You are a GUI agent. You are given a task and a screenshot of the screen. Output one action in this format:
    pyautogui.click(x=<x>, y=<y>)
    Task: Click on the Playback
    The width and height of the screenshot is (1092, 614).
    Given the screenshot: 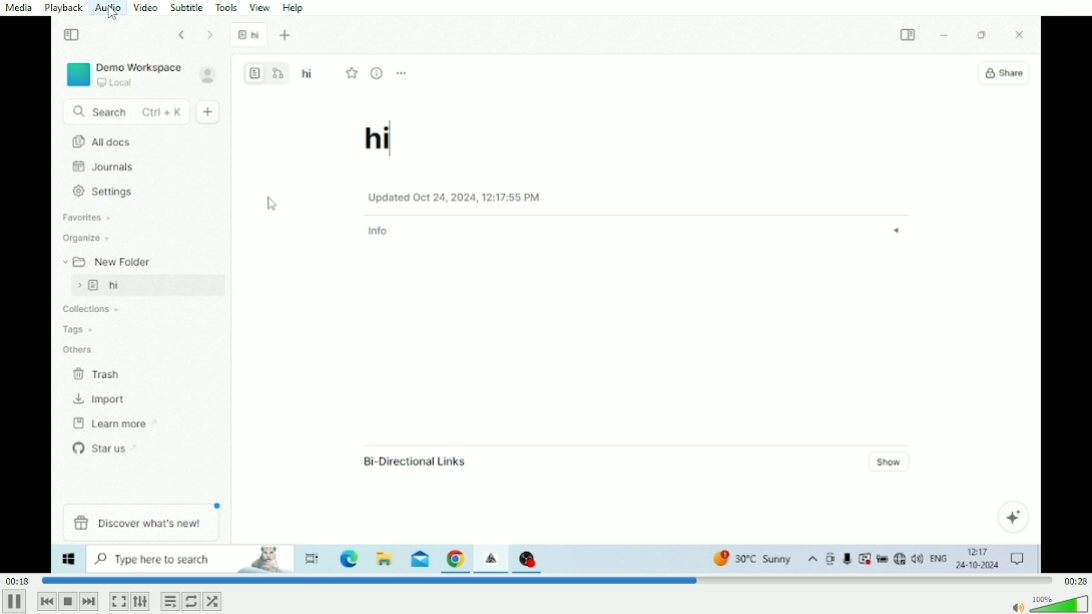 What is the action you would take?
    pyautogui.click(x=66, y=8)
    